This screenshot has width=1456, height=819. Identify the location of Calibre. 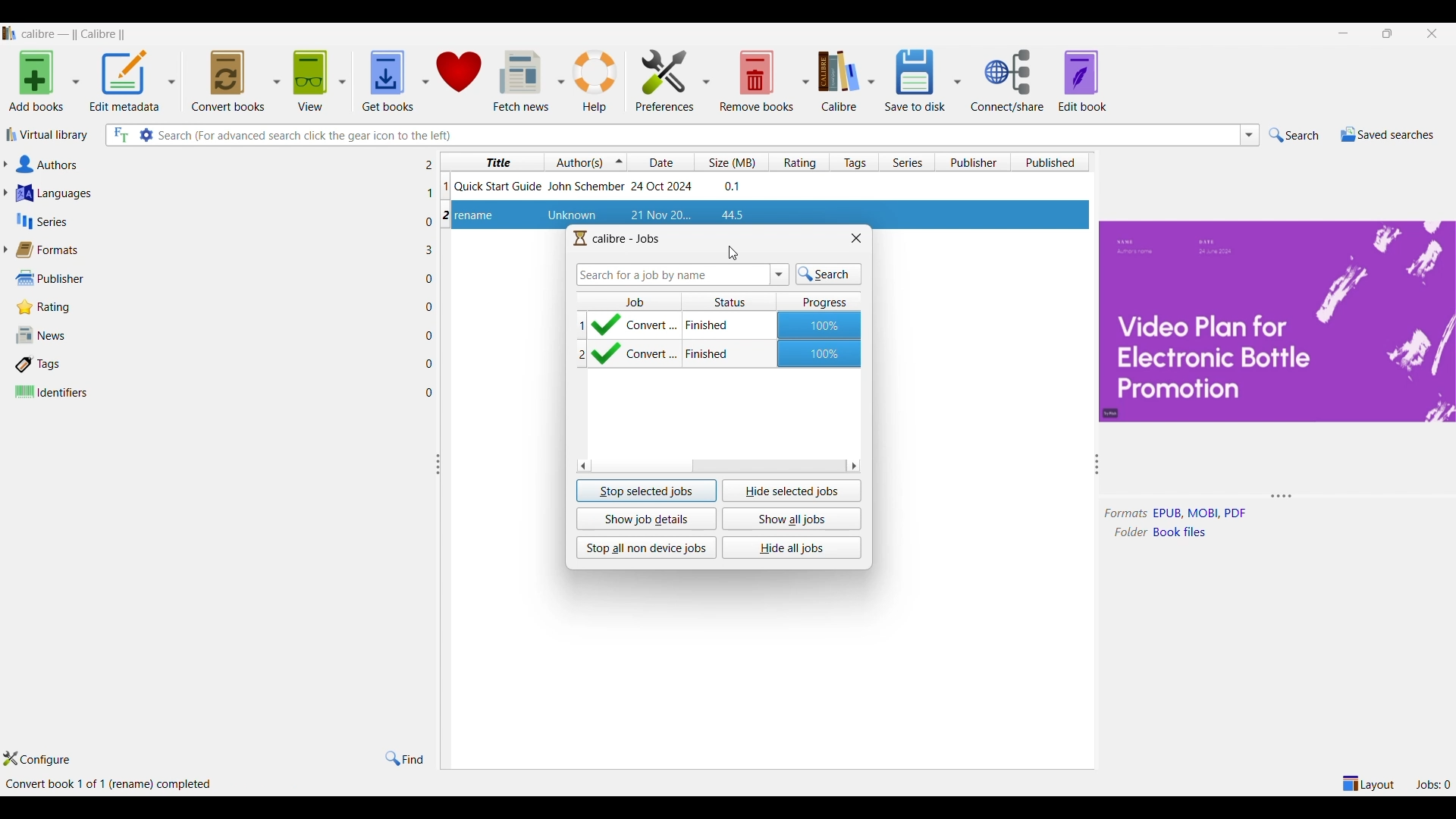
(841, 81).